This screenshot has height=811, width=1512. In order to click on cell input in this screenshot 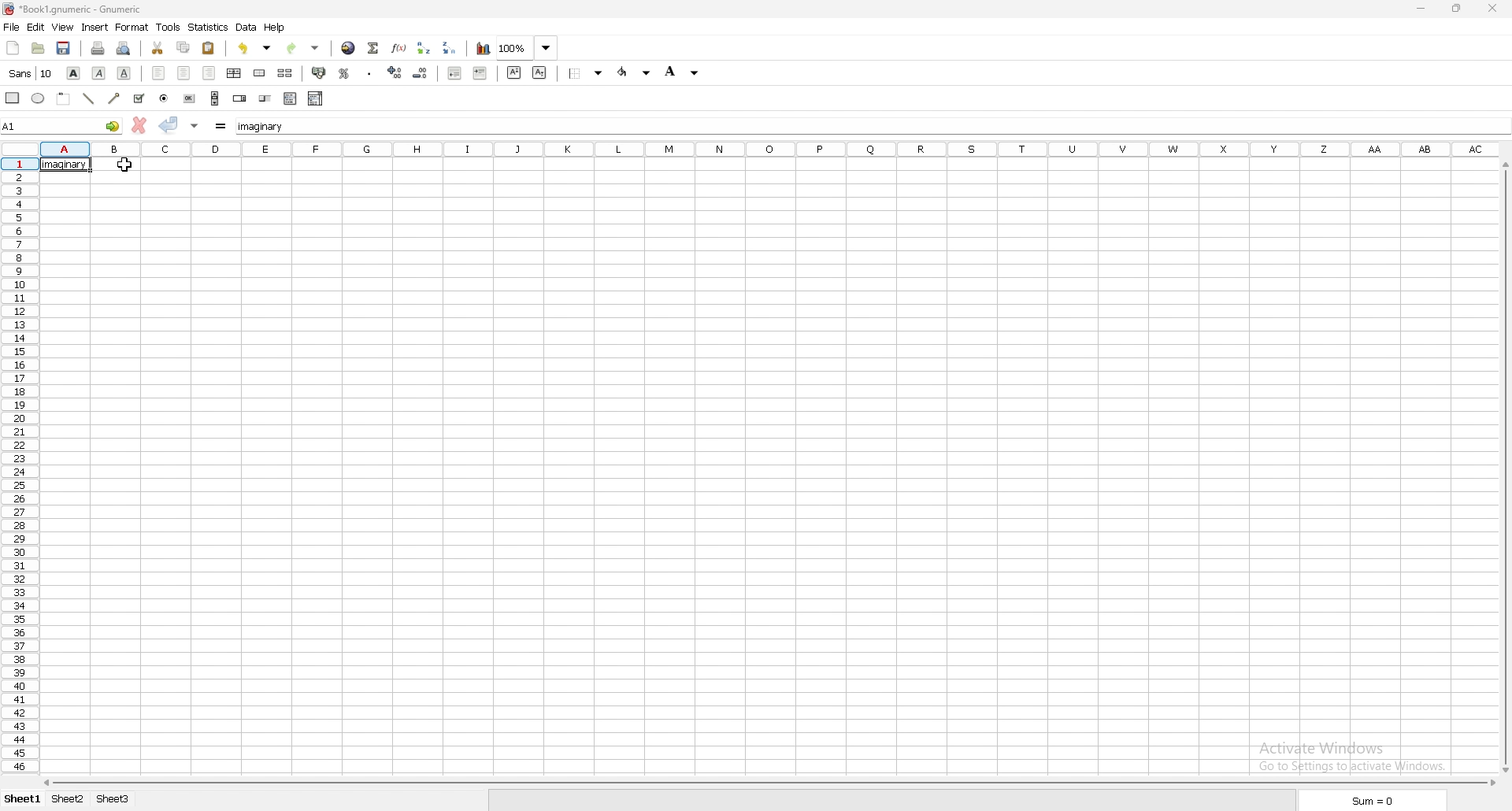, I will do `click(872, 124)`.